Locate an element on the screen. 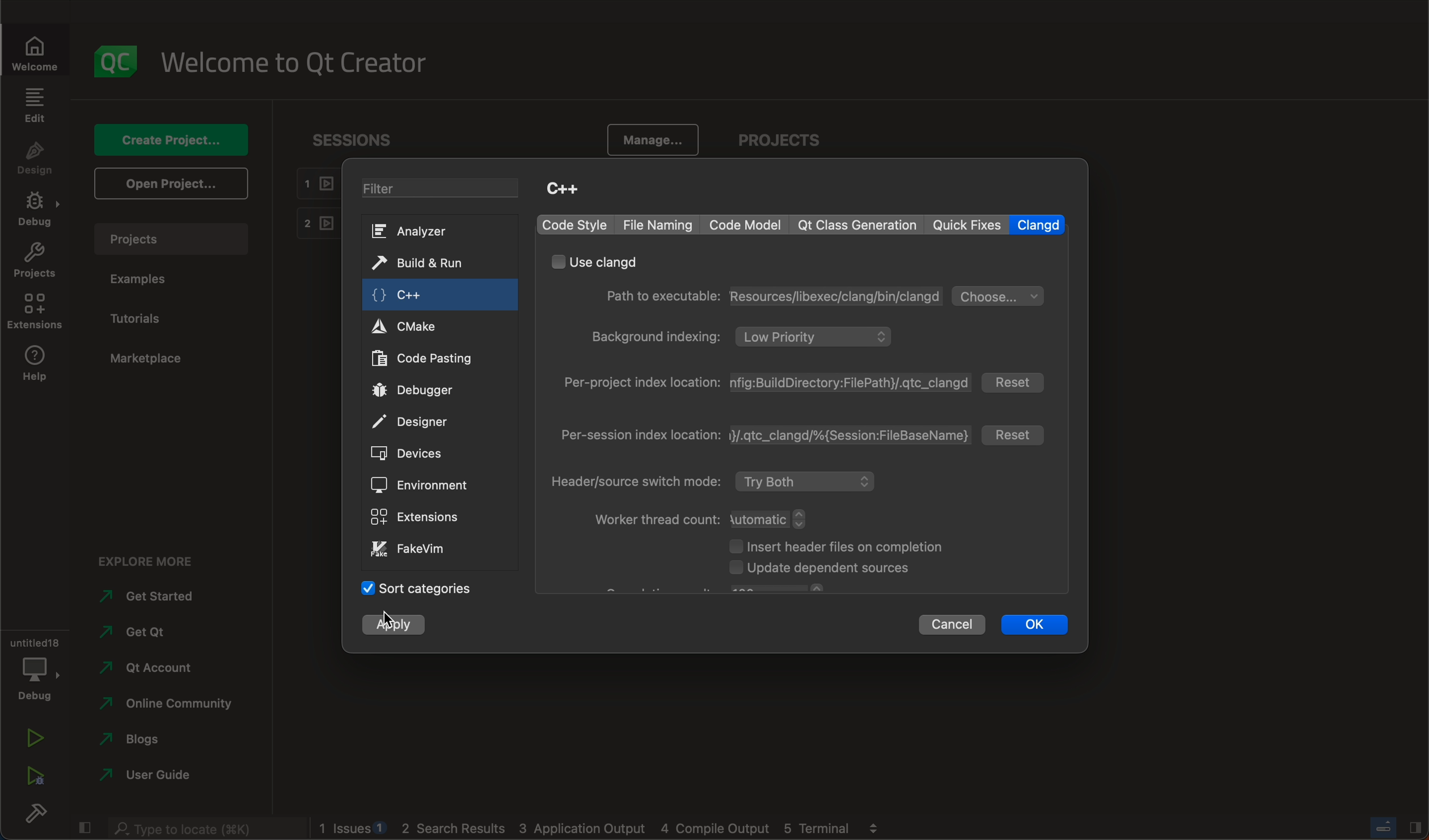 The image size is (1429, 840). use clangd is located at coordinates (598, 261).